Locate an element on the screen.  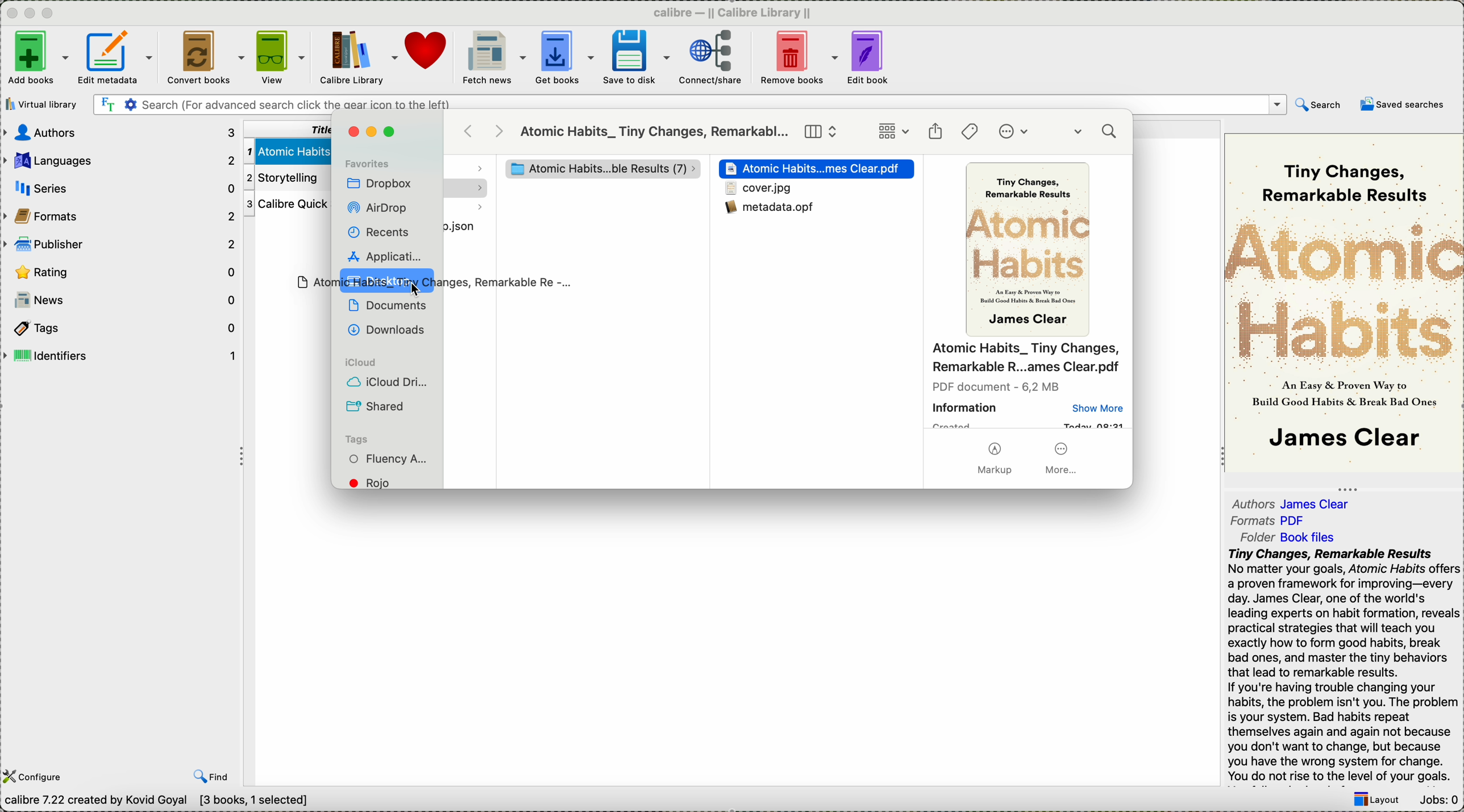
favorites is located at coordinates (367, 163).